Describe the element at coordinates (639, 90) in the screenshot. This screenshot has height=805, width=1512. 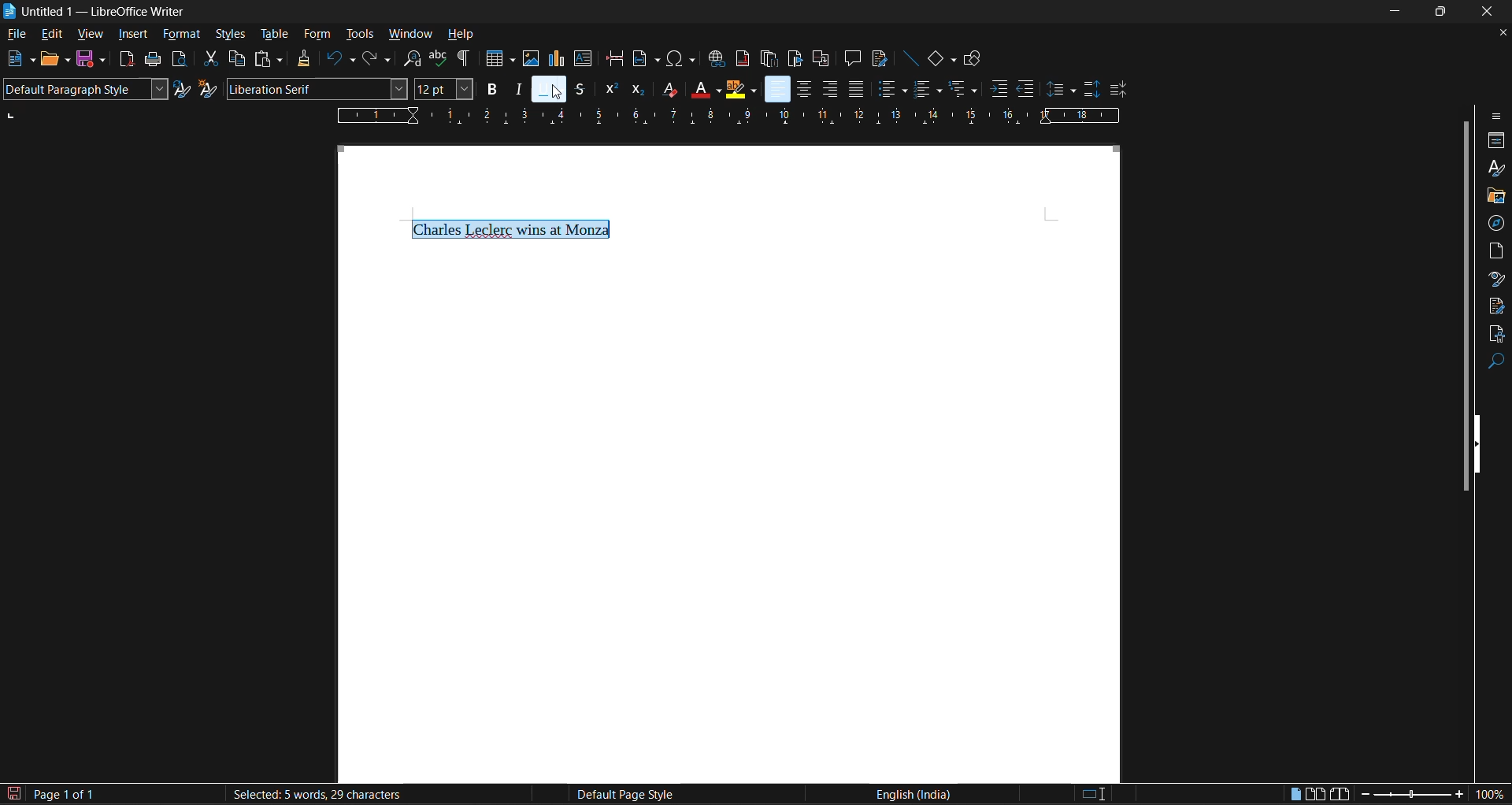
I see `subscript` at that location.